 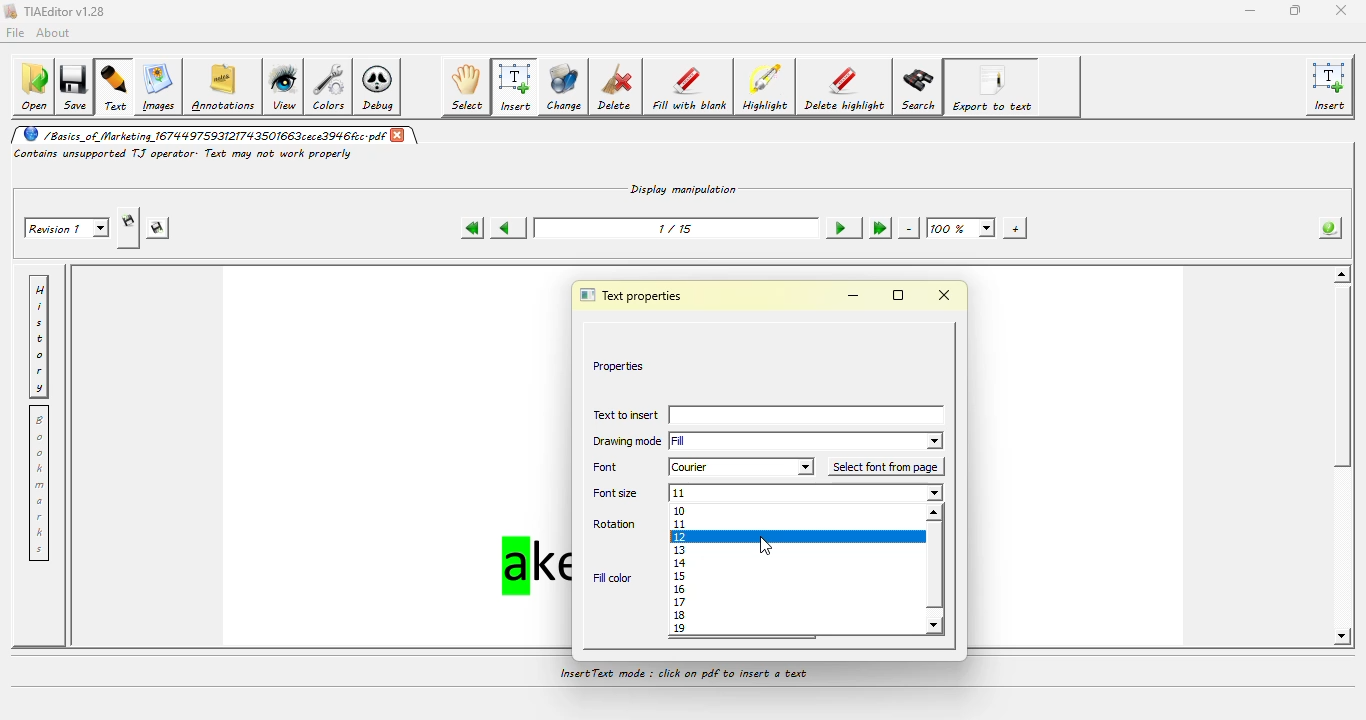 What do you see at coordinates (77, 85) in the screenshot?
I see `save` at bounding box center [77, 85].